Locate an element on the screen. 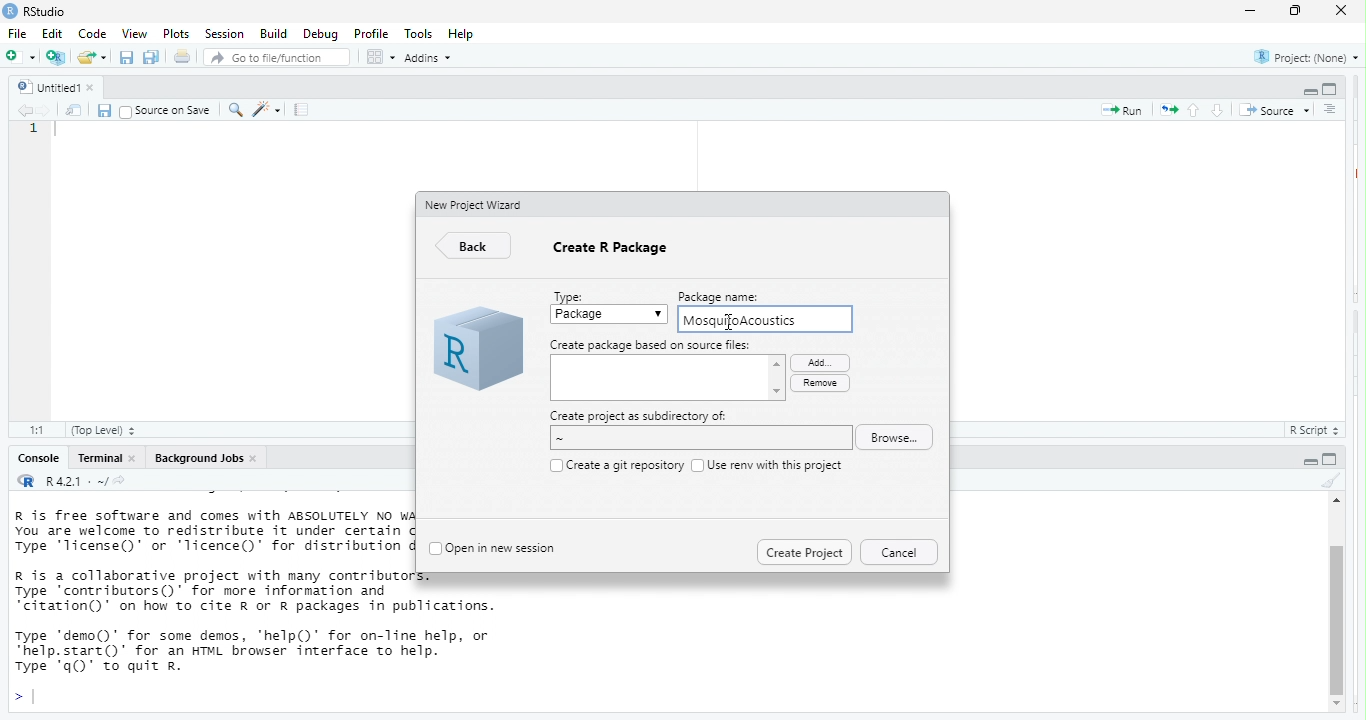 This screenshot has width=1366, height=720. Debug is located at coordinates (319, 34).